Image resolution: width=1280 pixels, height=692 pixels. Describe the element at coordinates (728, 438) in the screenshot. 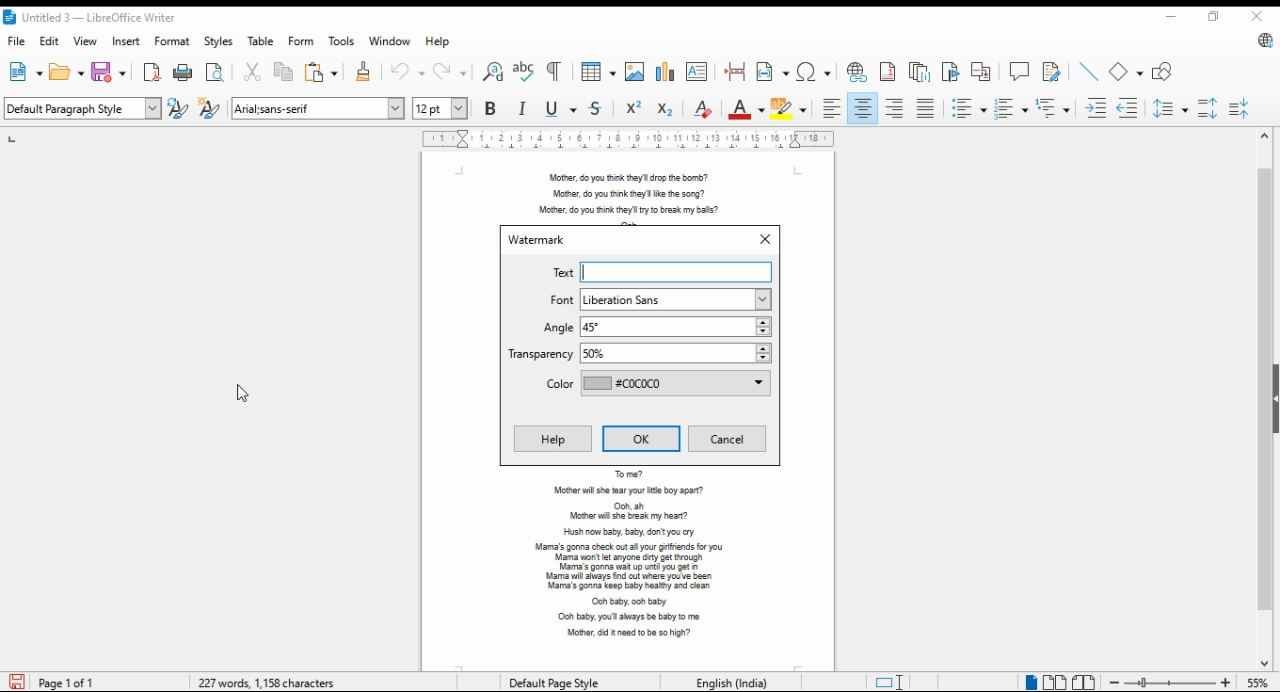

I see `cancel` at that location.